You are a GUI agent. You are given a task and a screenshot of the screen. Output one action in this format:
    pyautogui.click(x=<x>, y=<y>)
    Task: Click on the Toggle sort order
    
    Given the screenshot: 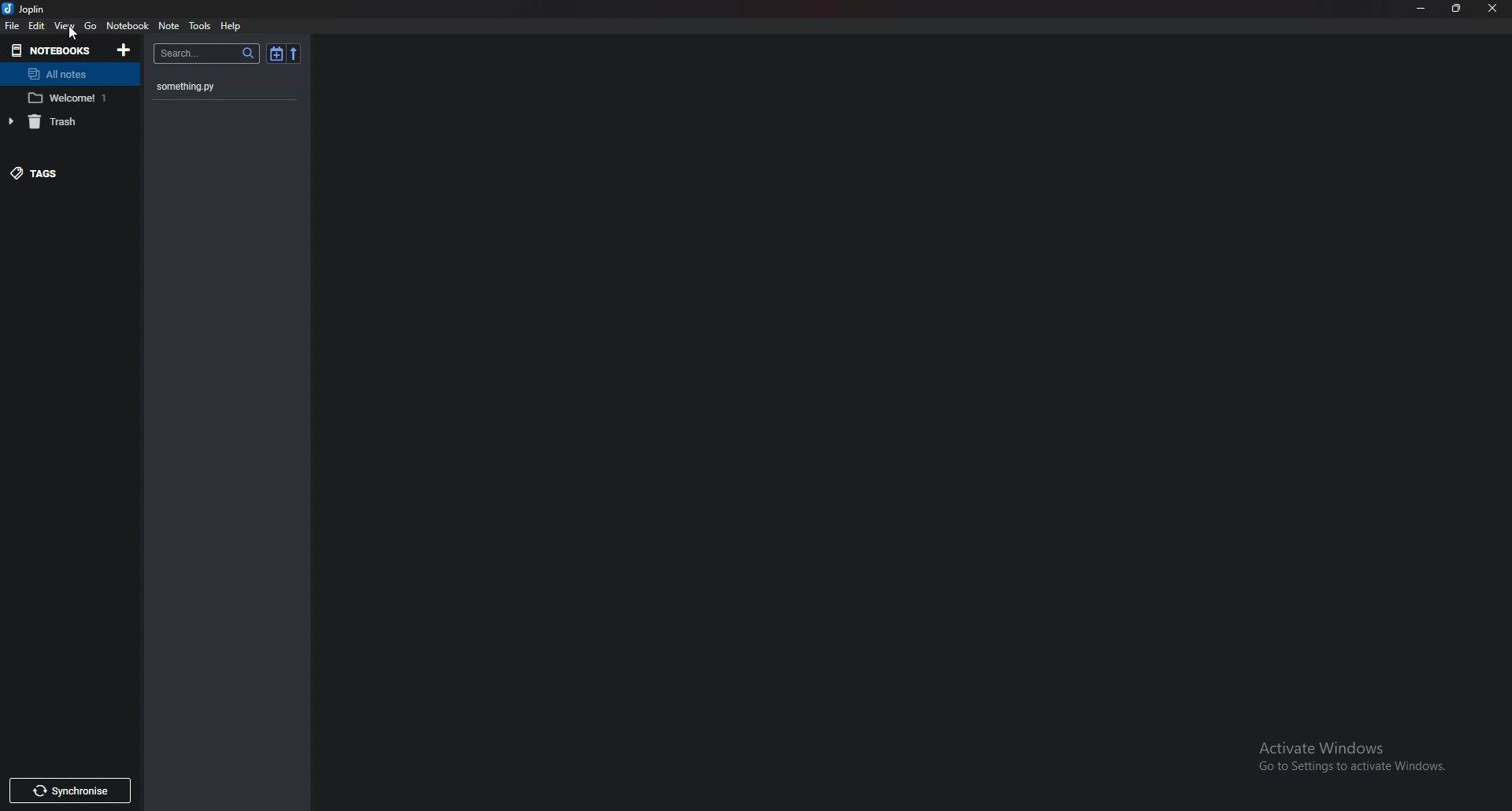 What is the action you would take?
    pyautogui.click(x=276, y=54)
    